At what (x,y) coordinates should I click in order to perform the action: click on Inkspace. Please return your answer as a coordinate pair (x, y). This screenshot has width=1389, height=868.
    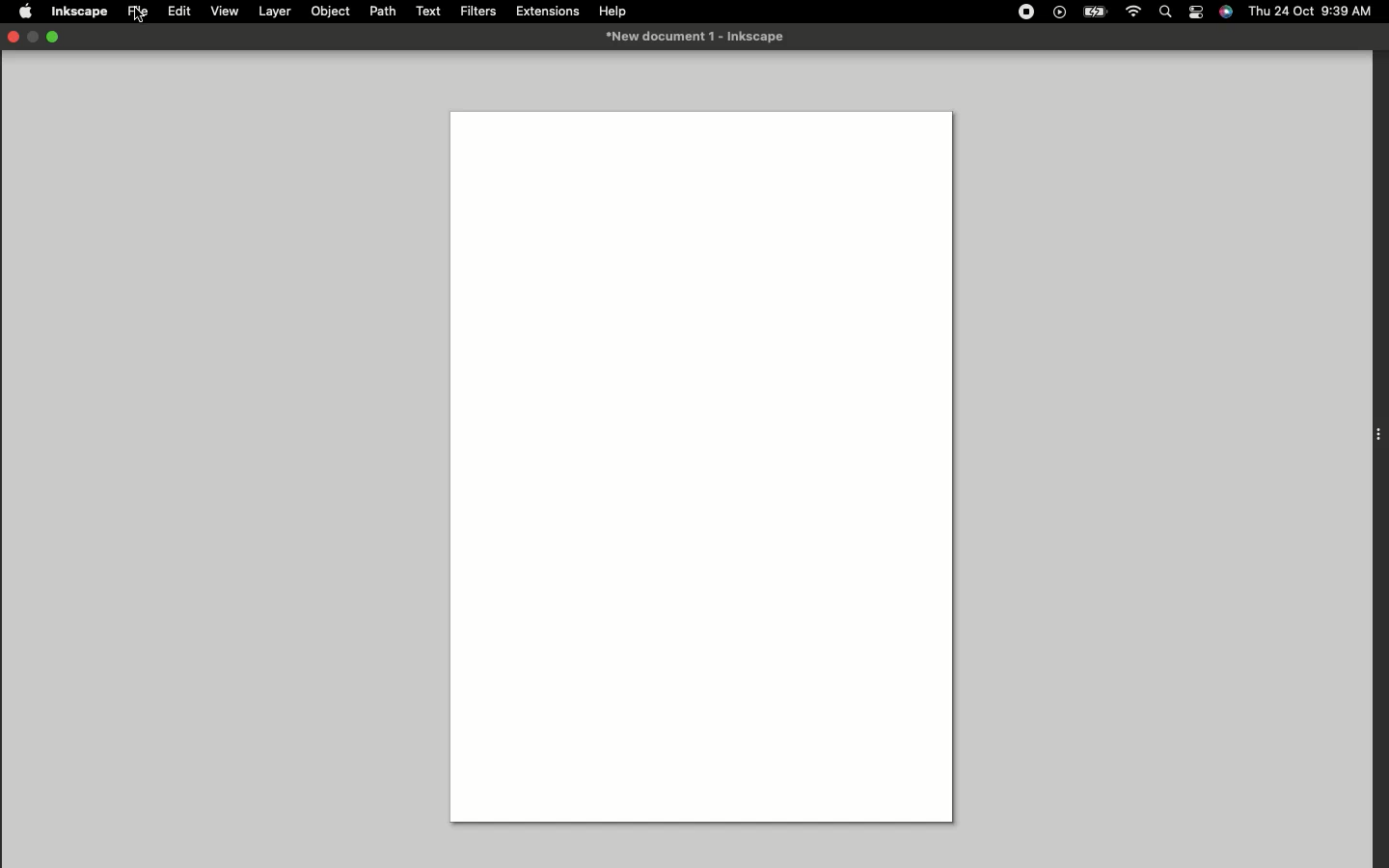
    Looking at the image, I should click on (81, 12).